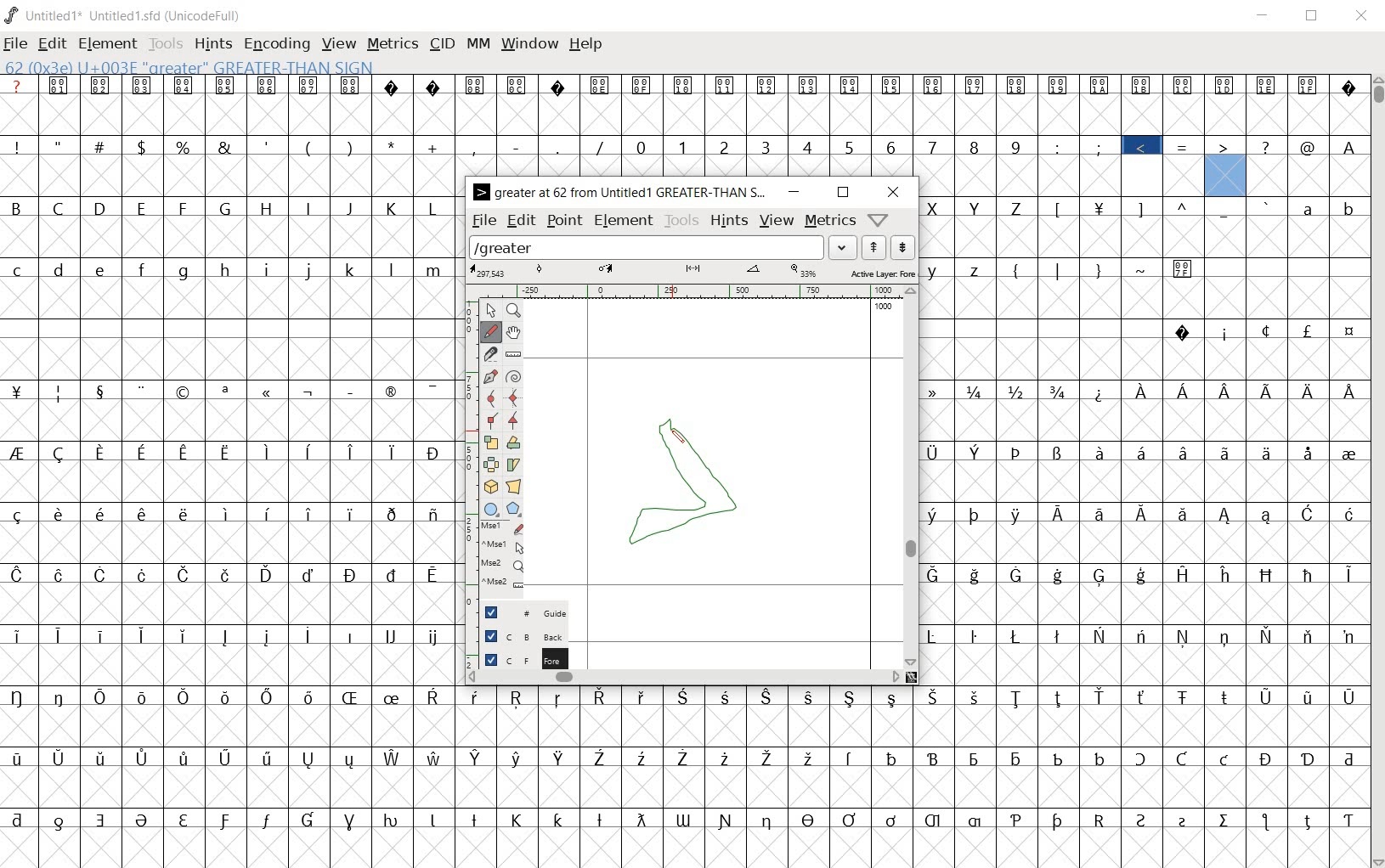 The image size is (1385, 868). What do you see at coordinates (213, 44) in the screenshot?
I see `hints` at bounding box center [213, 44].